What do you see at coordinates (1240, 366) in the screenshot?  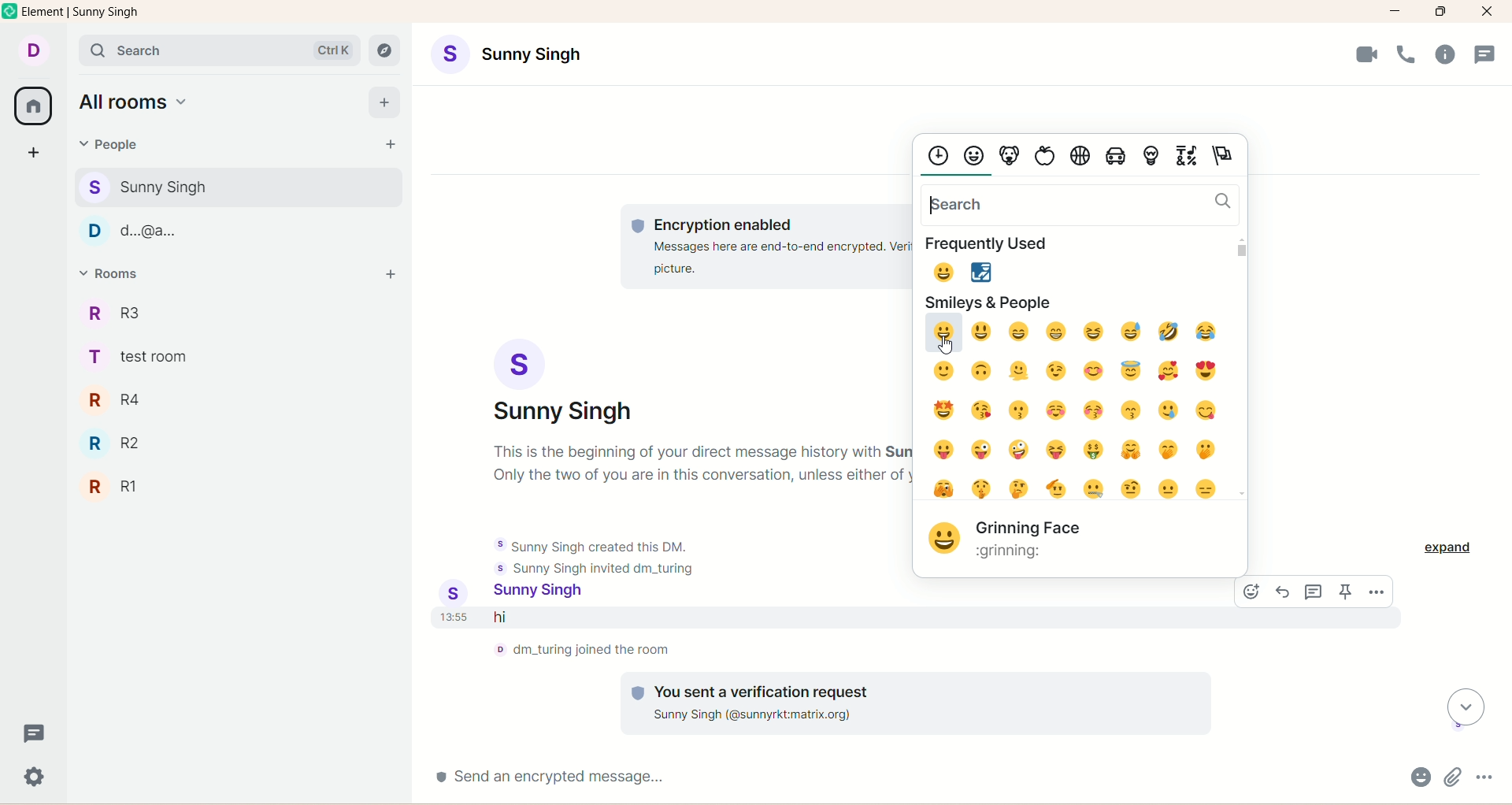 I see `vertical scroll bar` at bounding box center [1240, 366].